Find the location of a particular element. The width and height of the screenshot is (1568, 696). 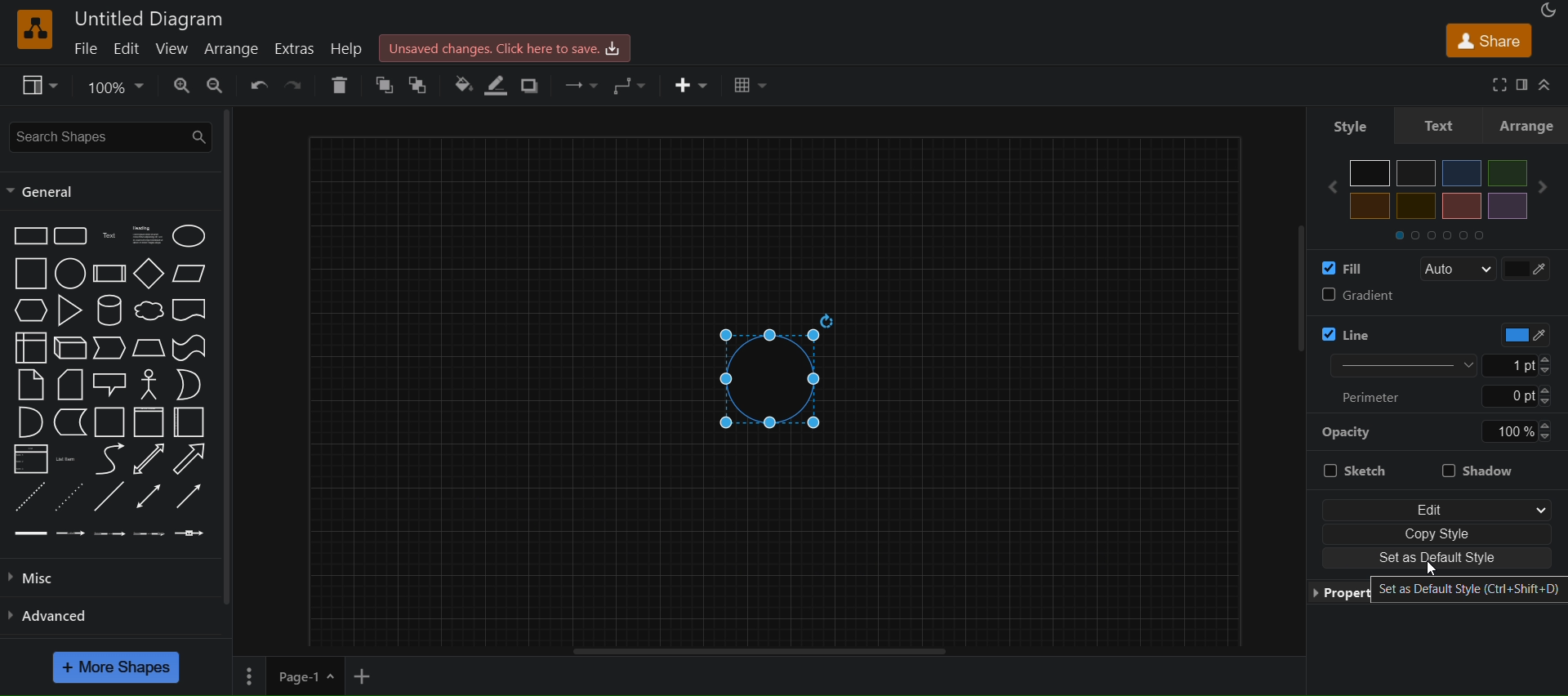

table is located at coordinates (752, 86).